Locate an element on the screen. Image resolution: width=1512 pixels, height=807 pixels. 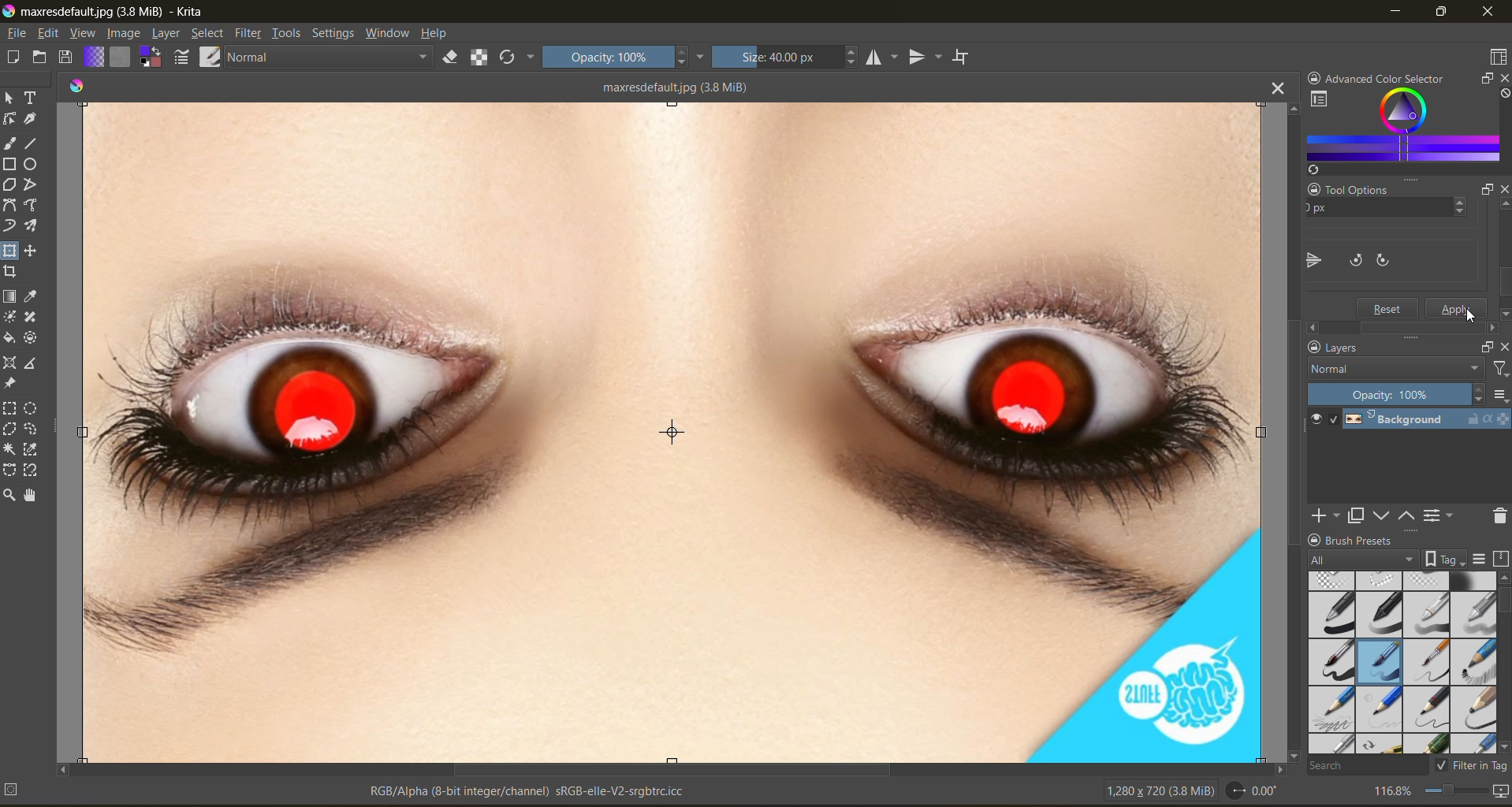
lock docker is located at coordinates (1313, 190).